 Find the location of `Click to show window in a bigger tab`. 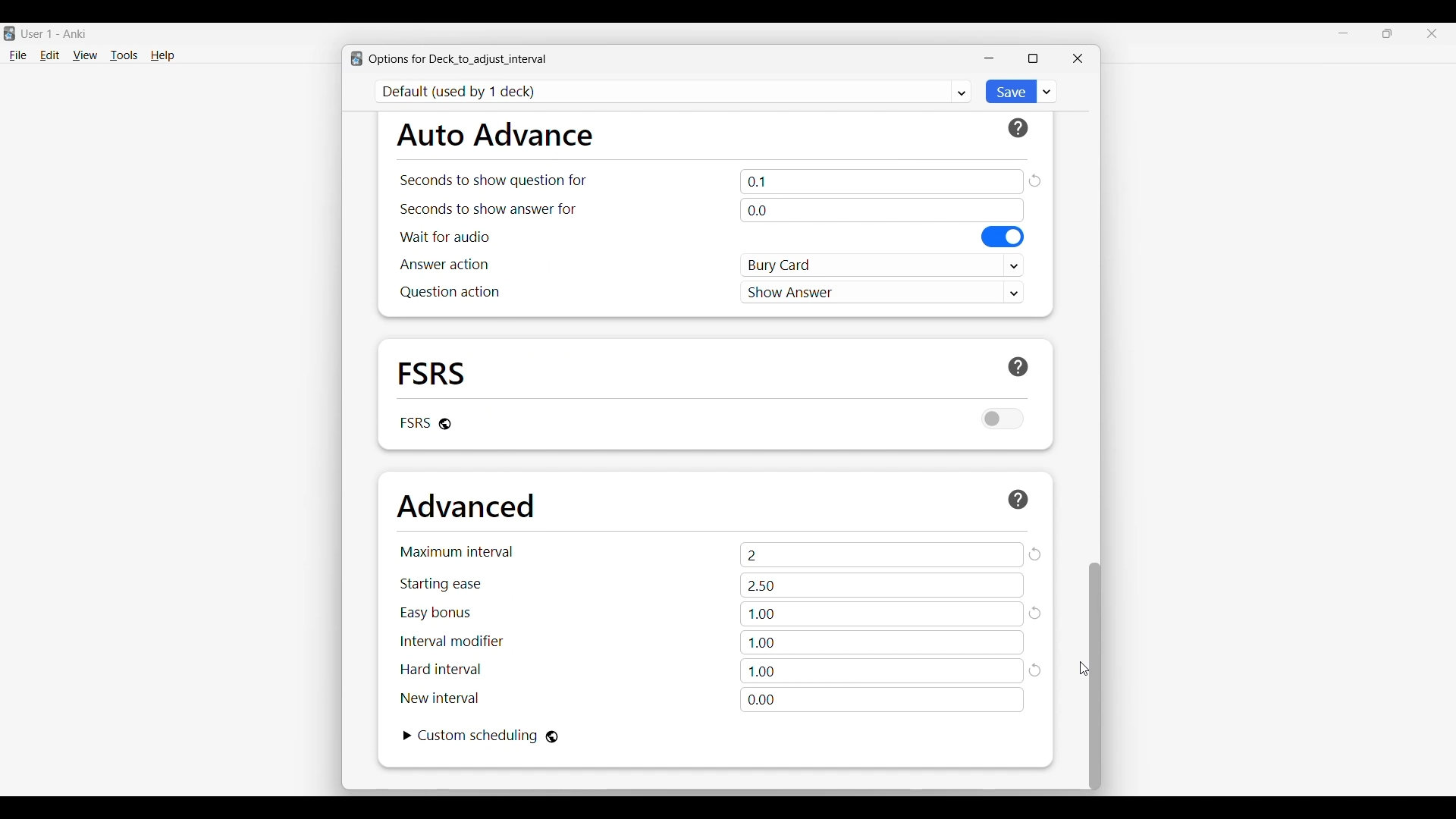

Click to show window in a bigger tab is located at coordinates (1033, 58).